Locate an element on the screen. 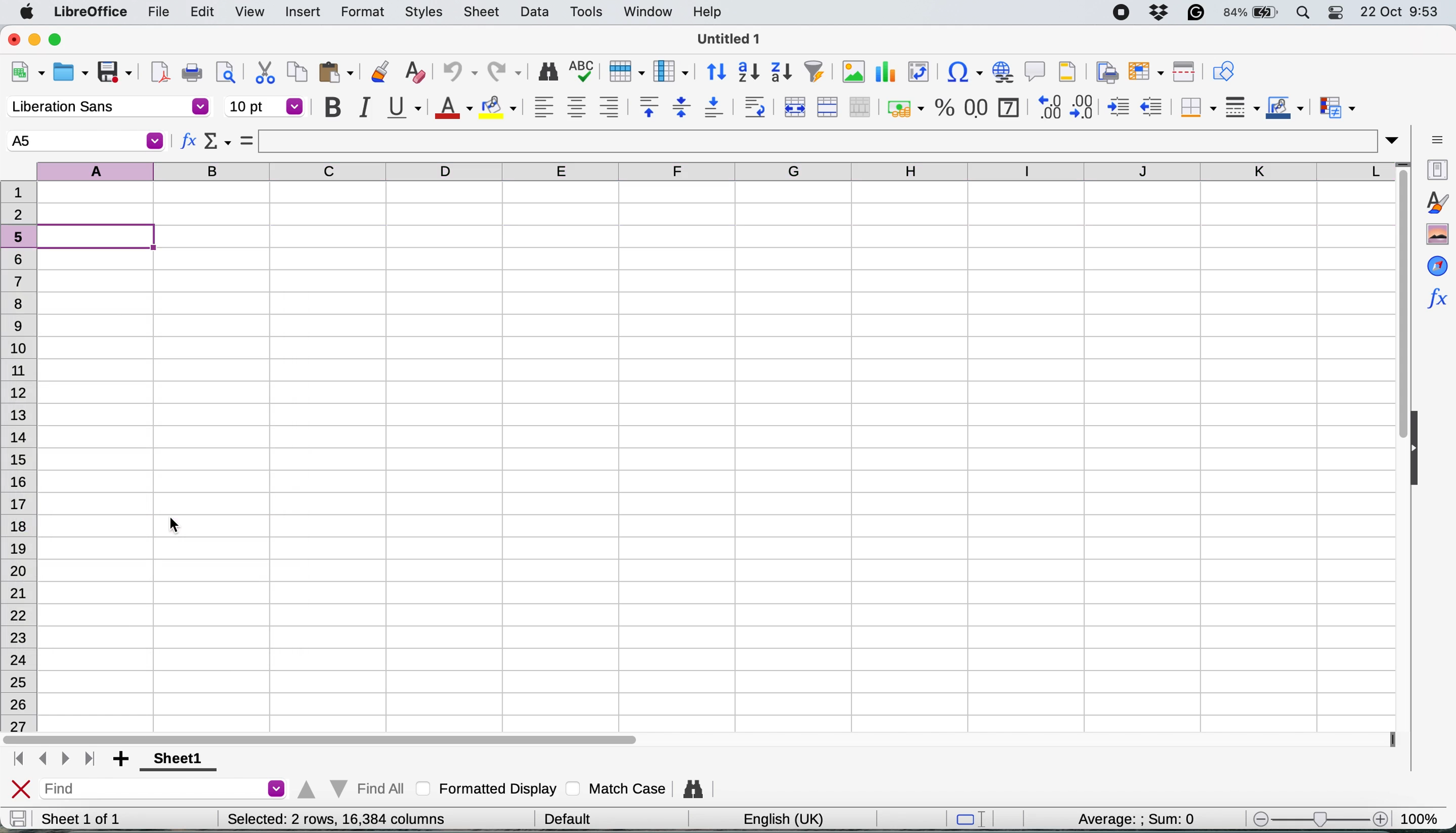 The width and height of the screenshot is (1456, 833). freeze rows and columns is located at coordinates (1143, 72).